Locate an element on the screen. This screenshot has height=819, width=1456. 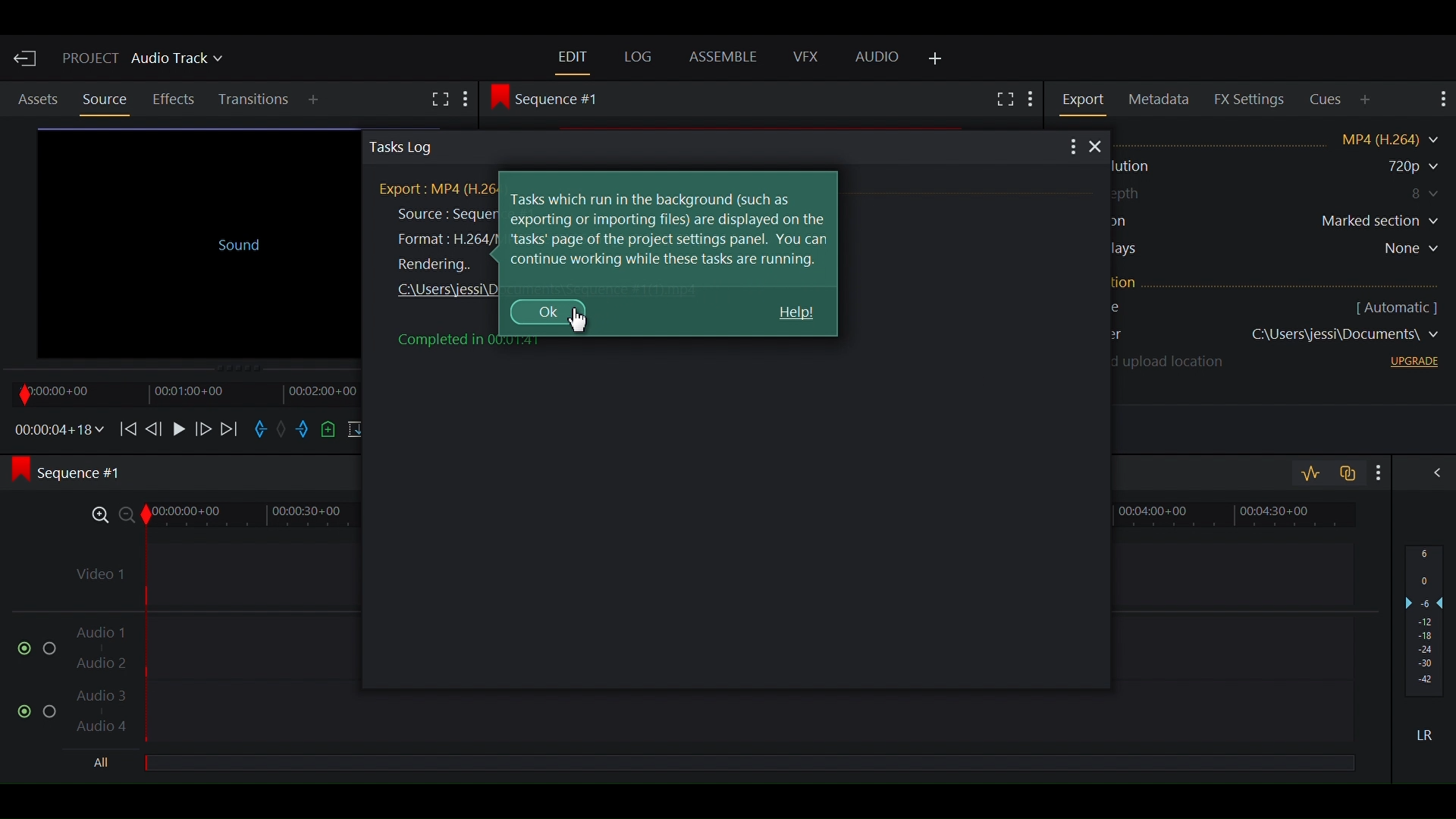
Region is located at coordinates (1279, 223).